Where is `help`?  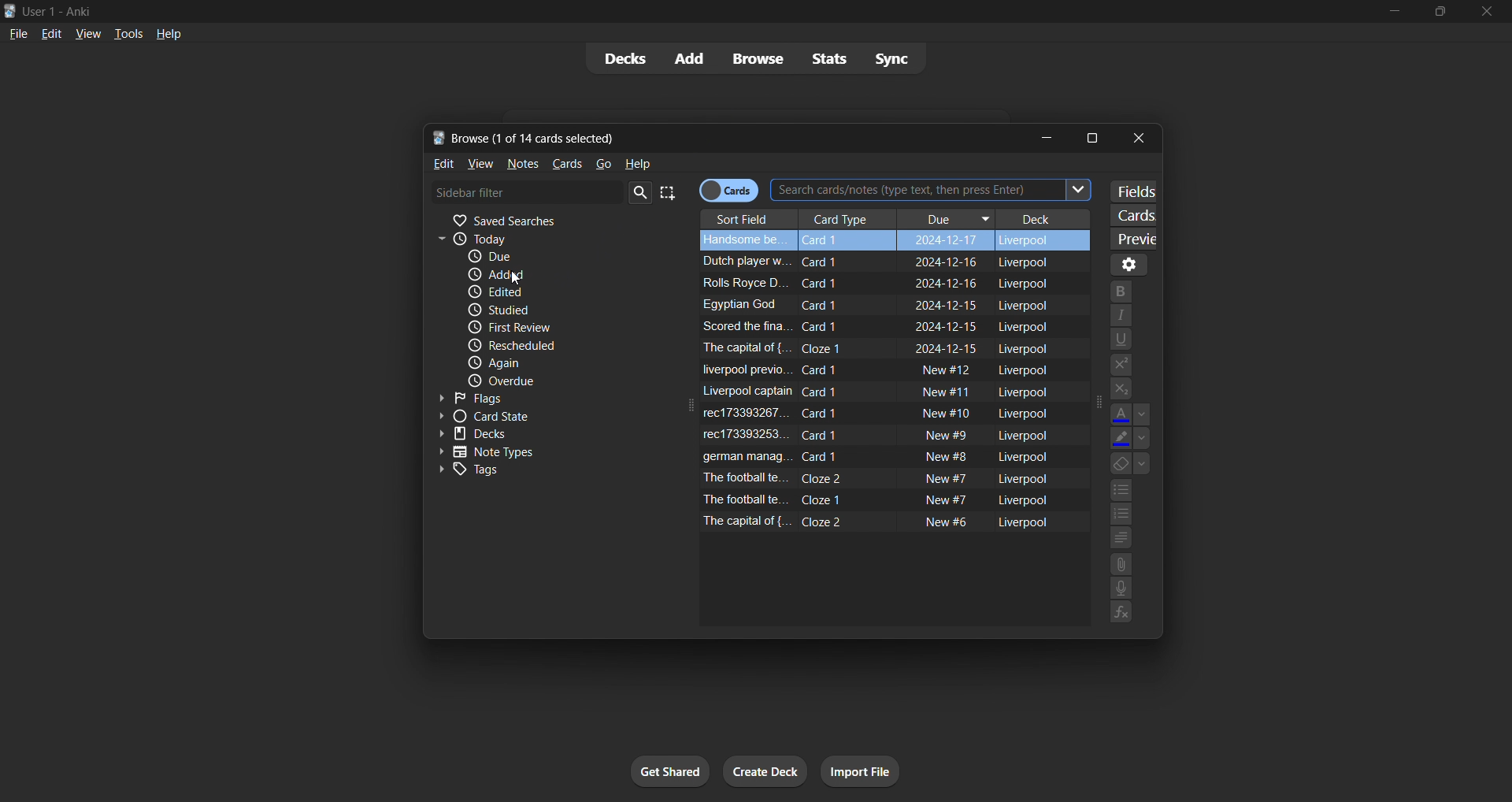
help is located at coordinates (170, 35).